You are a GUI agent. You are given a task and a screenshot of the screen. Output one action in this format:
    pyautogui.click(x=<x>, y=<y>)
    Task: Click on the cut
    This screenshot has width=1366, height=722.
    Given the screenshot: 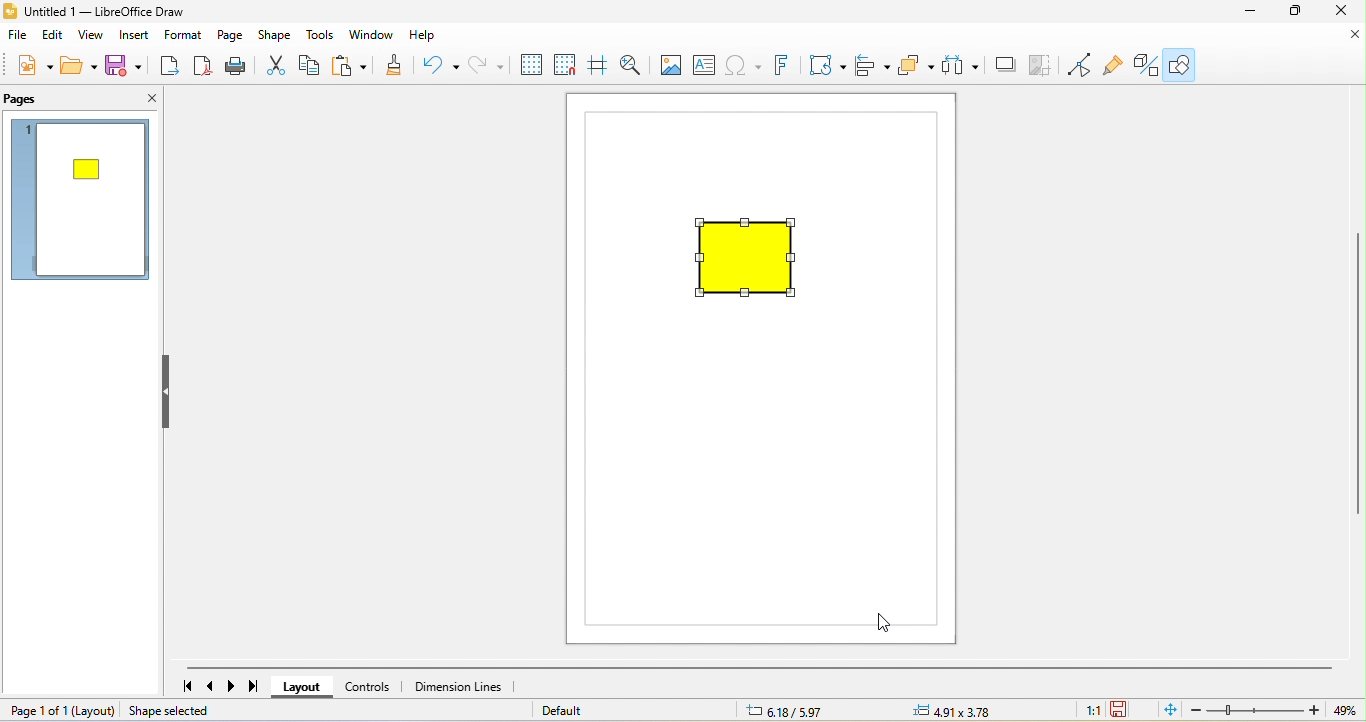 What is the action you would take?
    pyautogui.click(x=275, y=68)
    